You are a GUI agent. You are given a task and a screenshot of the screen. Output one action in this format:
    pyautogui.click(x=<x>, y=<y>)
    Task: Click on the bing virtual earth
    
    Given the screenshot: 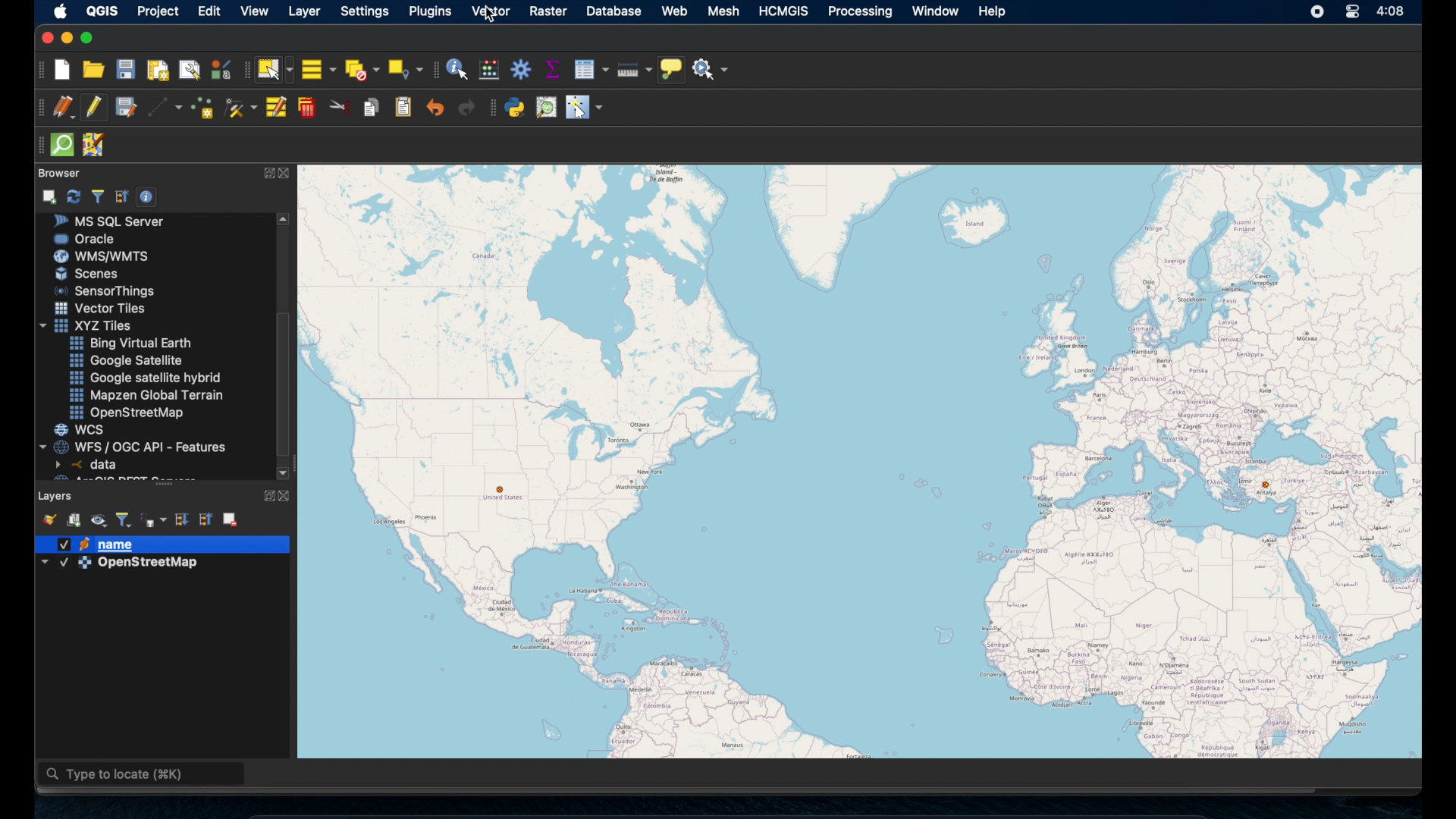 What is the action you would take?
    pyautogui.click(x=129, y=344)
    